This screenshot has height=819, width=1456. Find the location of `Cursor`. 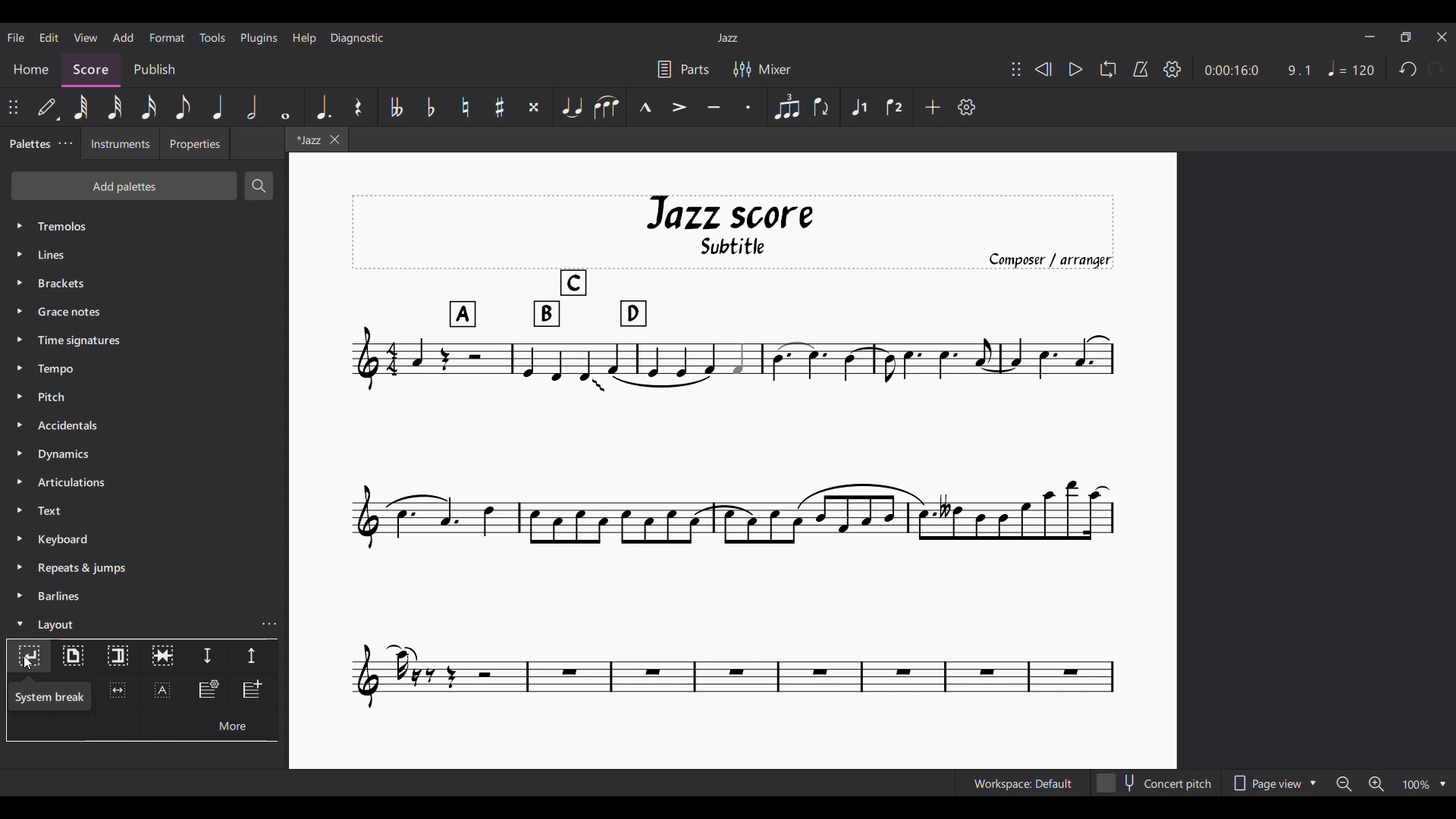

Cursor is located at coordinates (28, 663).